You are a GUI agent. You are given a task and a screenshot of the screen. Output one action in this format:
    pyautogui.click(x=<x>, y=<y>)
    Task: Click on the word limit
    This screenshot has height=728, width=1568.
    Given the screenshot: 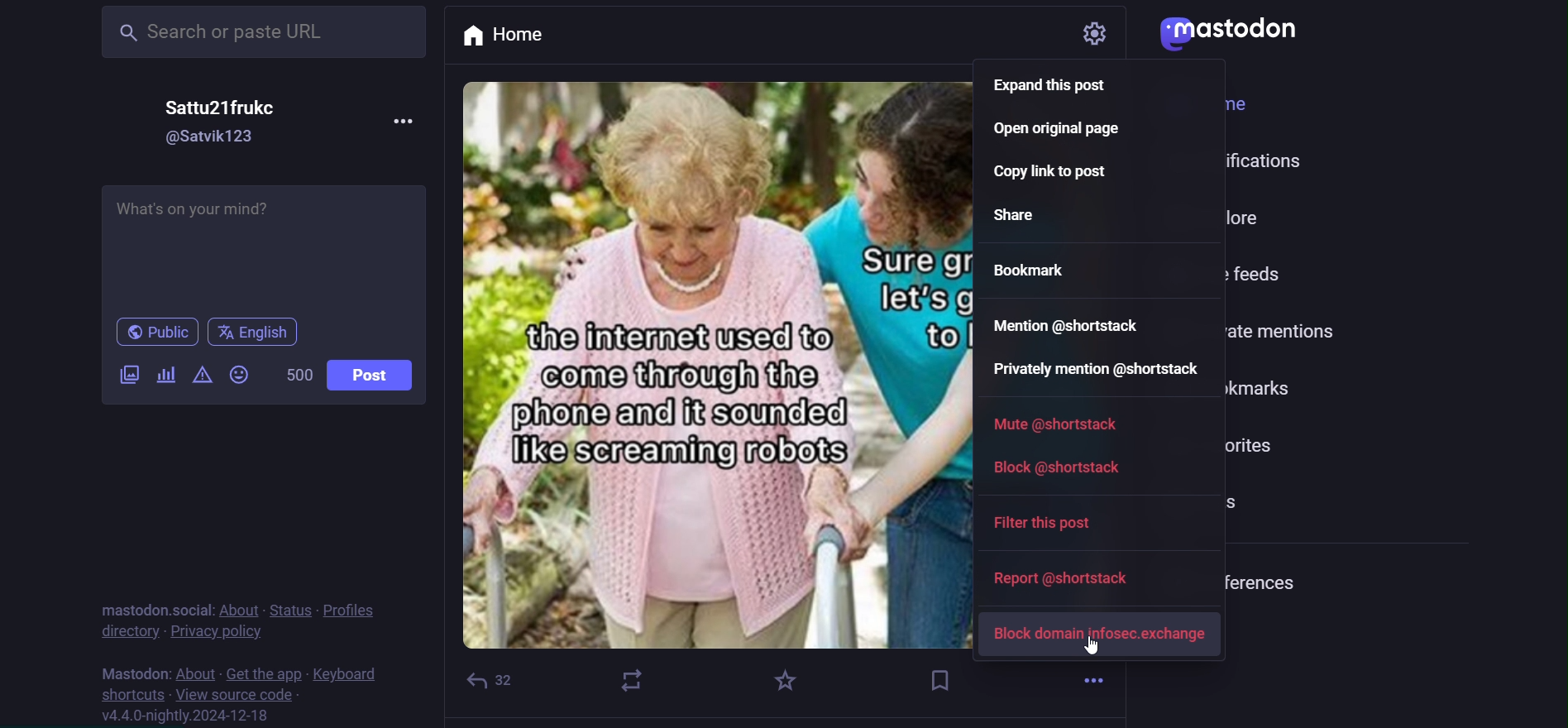 What is the action you would take?
    pyautogui.click(x=298, y=374)
    